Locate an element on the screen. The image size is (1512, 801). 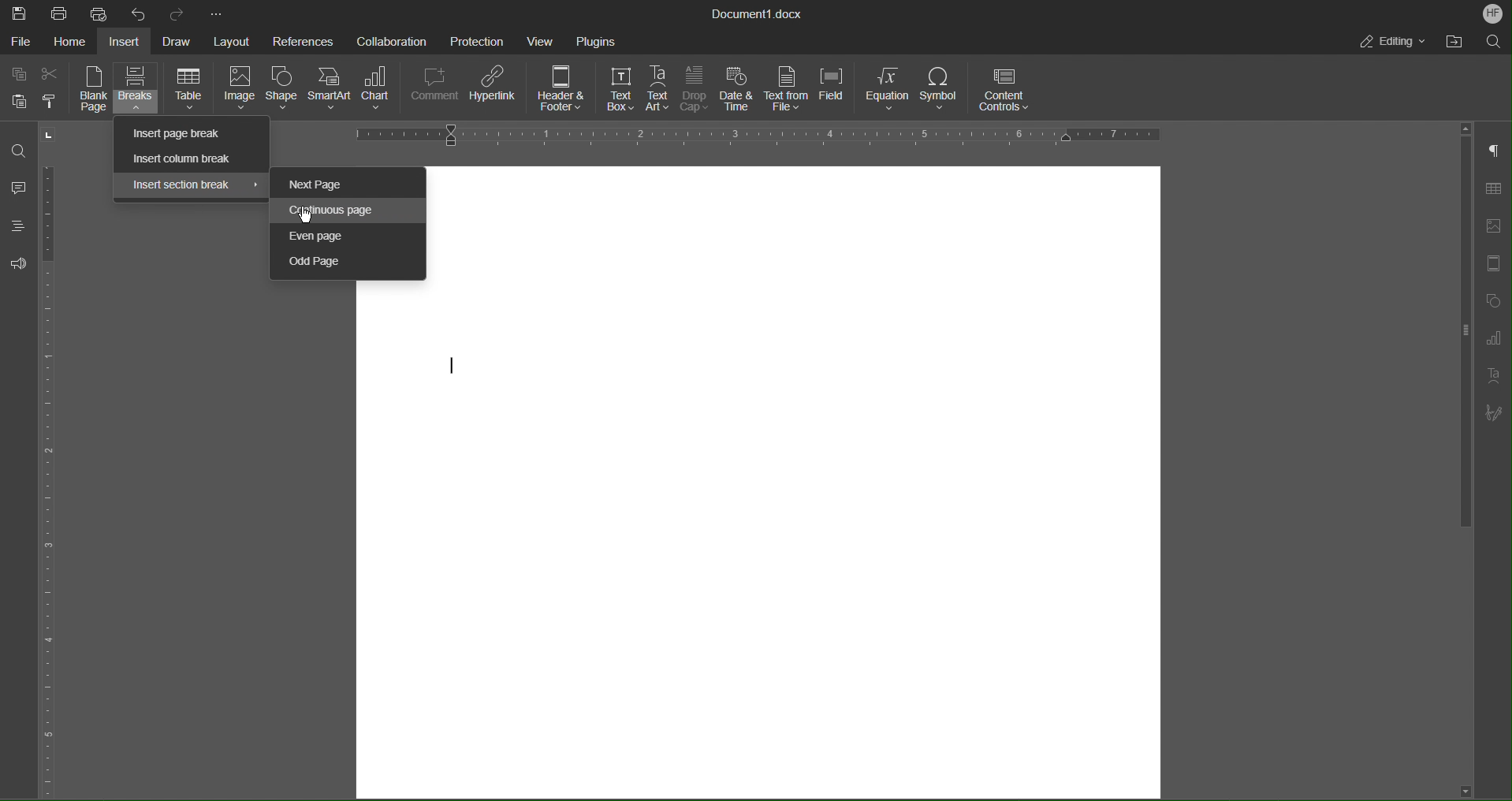
Search is located at coordinates (1497, 43).